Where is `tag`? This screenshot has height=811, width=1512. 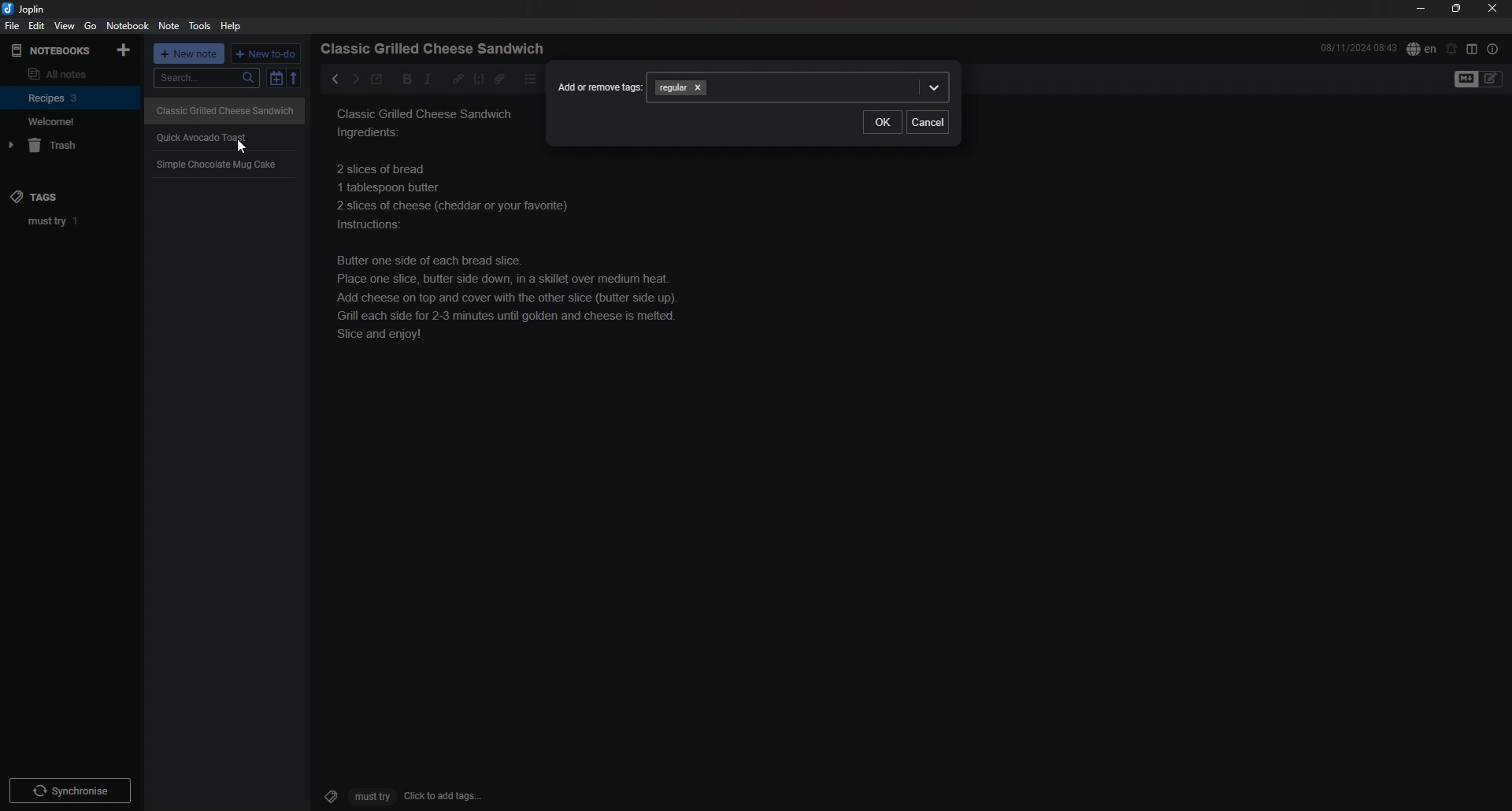
tag is located at coordinates (672, 87).